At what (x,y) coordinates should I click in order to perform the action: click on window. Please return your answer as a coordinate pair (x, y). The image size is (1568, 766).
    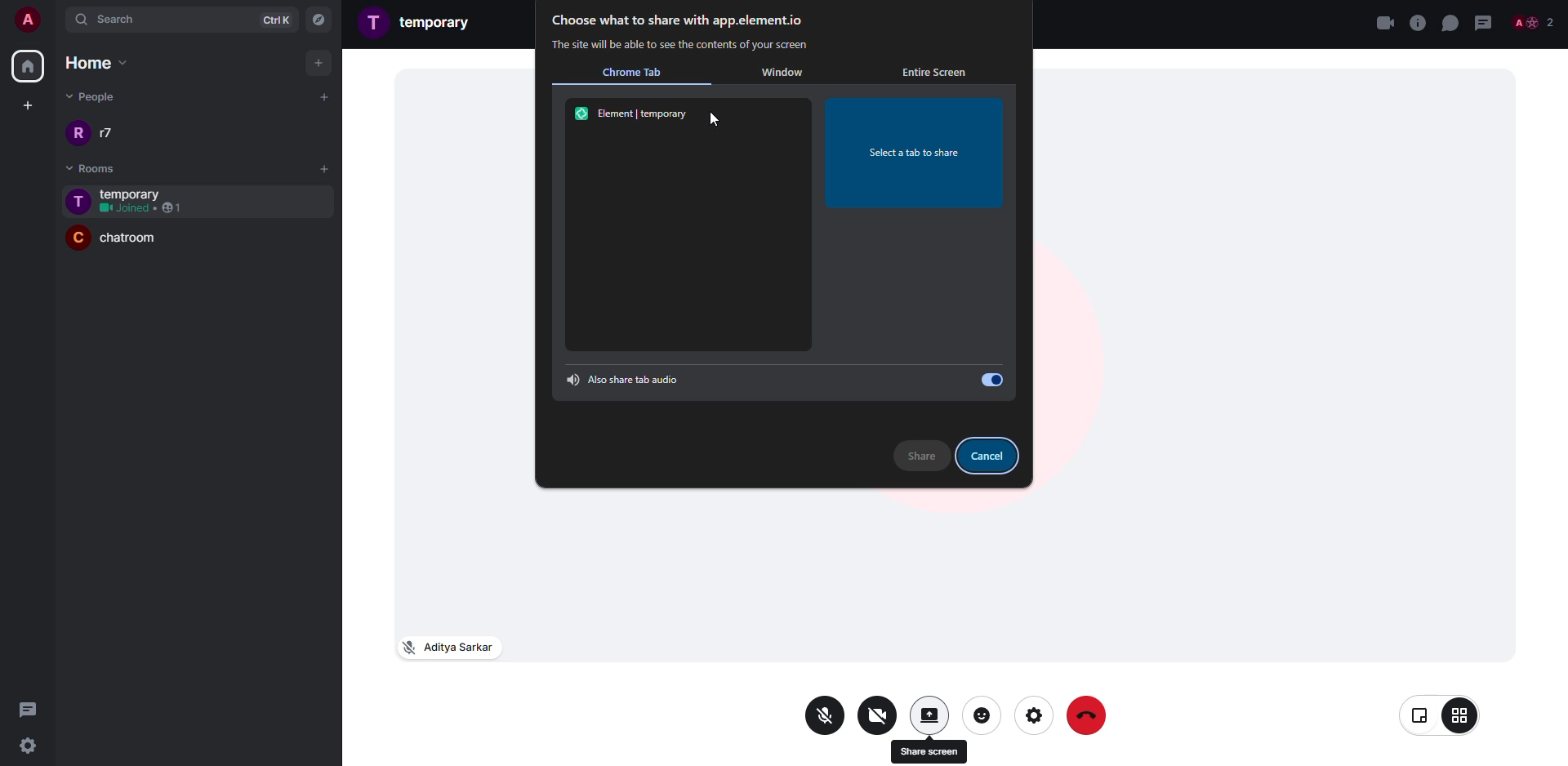
    Looking at the image, I should click on (782, 73).